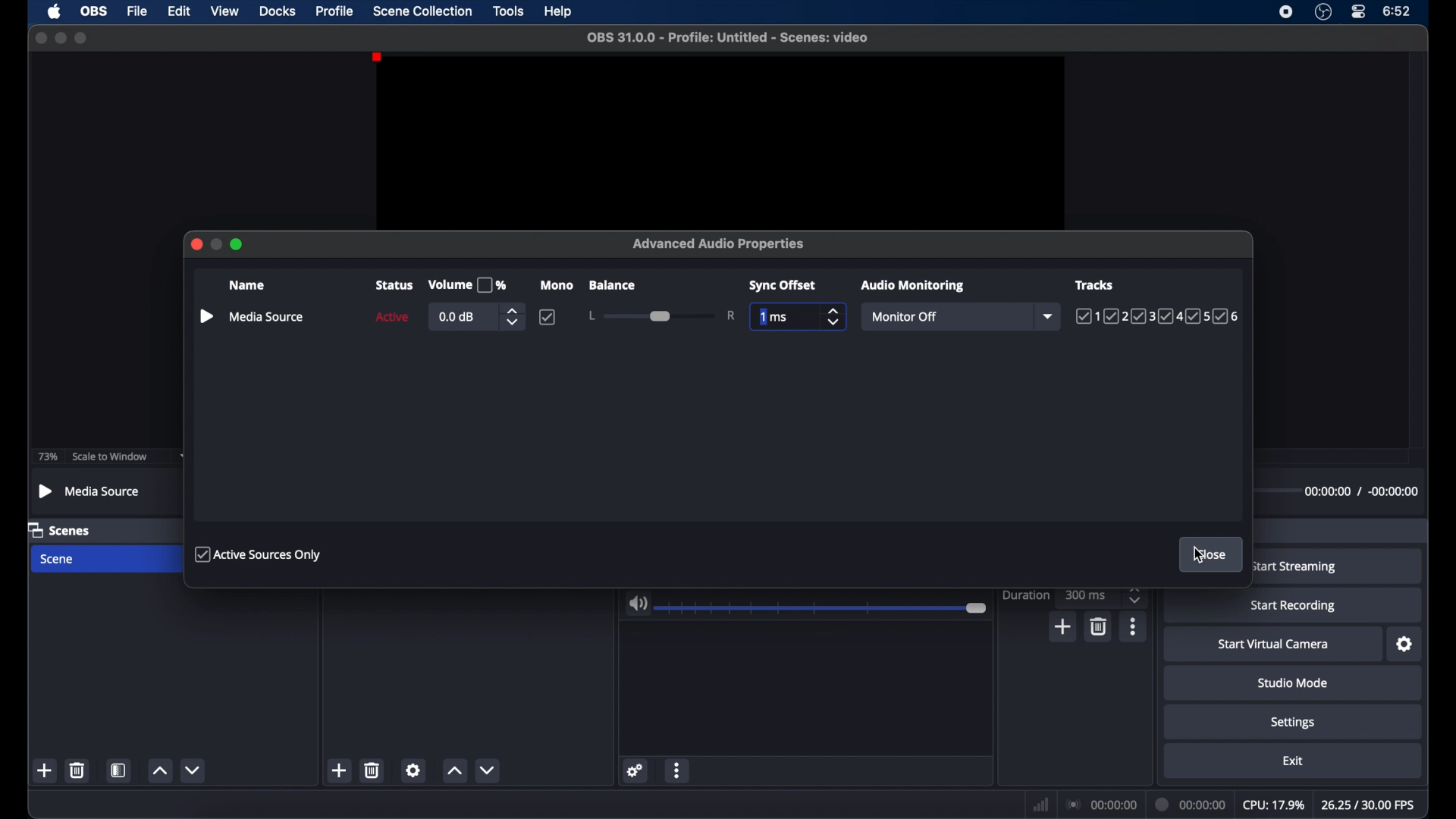  Describe the element at coordinates (1294, 567) in the screenshot. I see `start streaming` at that location.